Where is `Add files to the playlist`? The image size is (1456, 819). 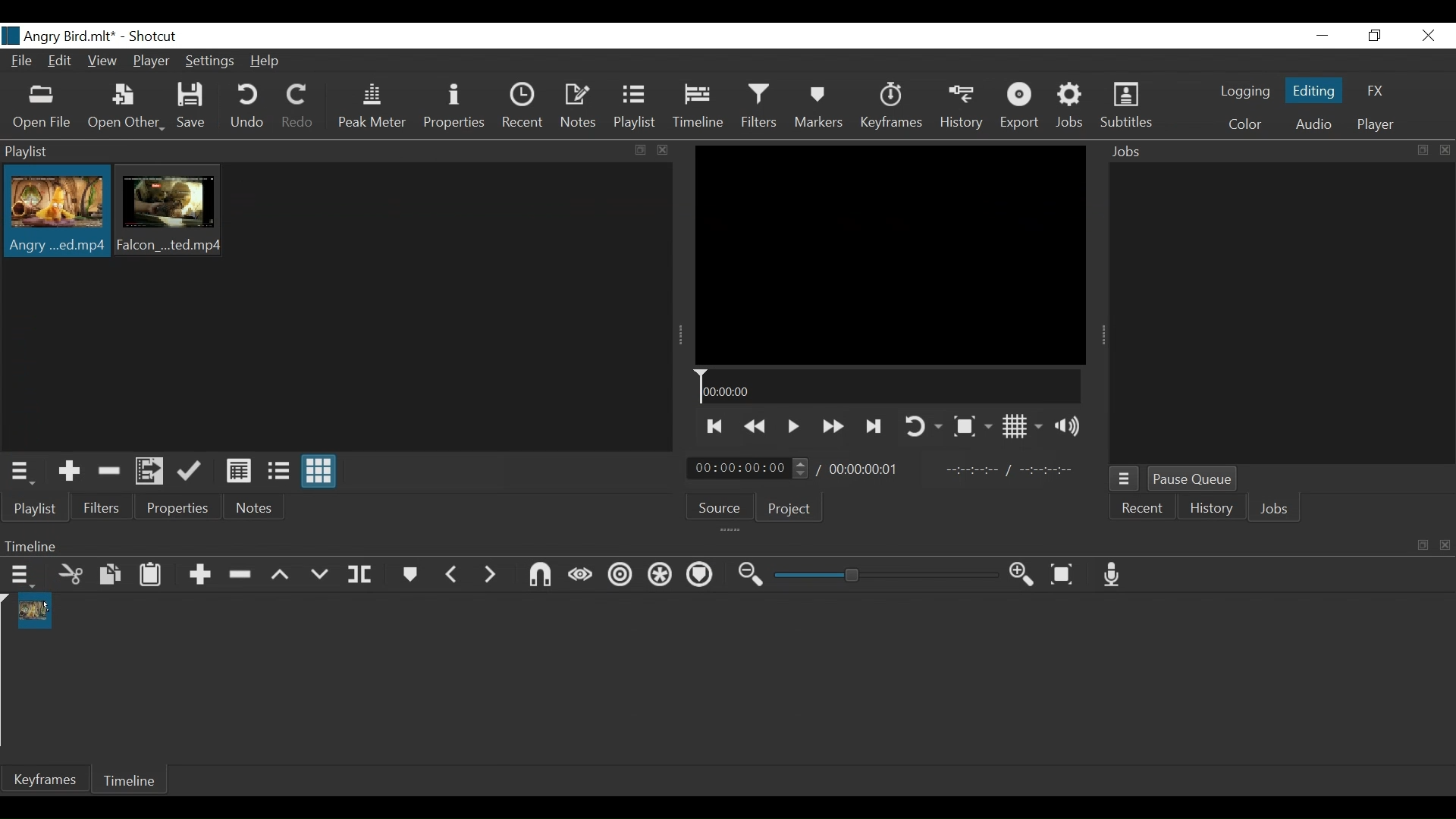 Add files to the playlist is located at coordinates (151, 472).